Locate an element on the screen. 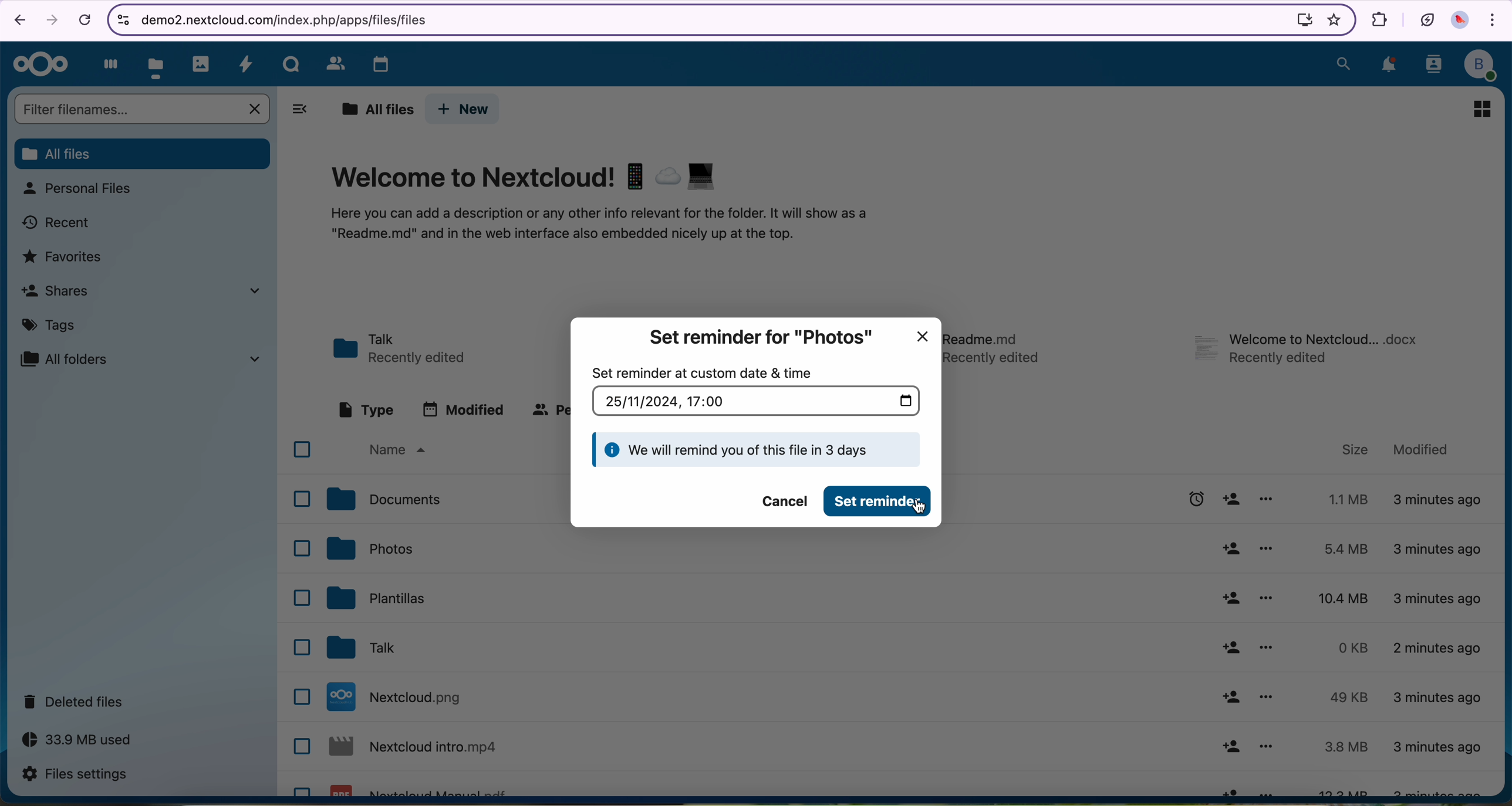 This screenshot has height=806, width=1512. Welcome to Nextcloud is located at coordinates (526, 177).